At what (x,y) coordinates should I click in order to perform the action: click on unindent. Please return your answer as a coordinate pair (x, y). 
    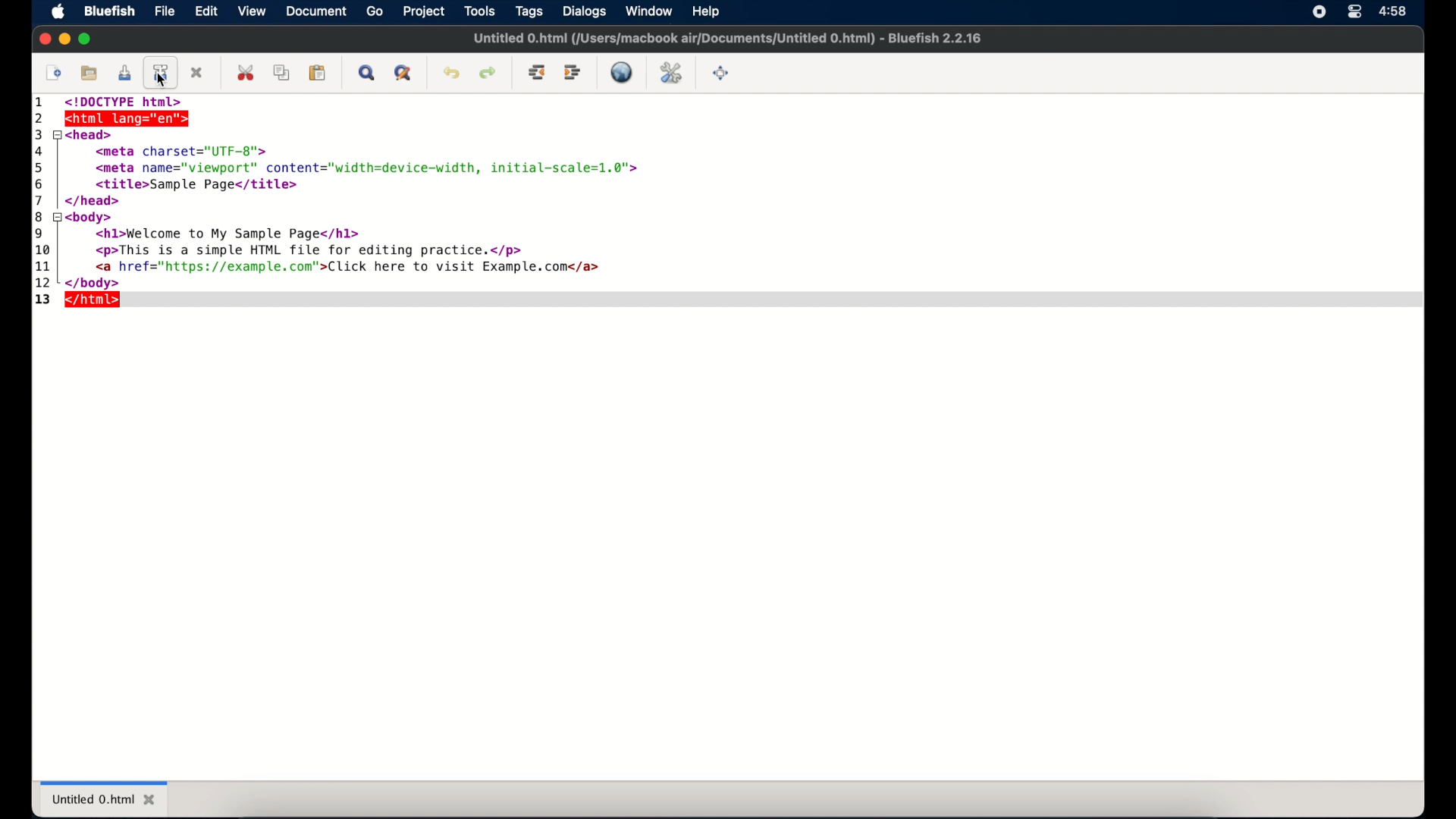
    Looking at the image, I should click on (538, 72).